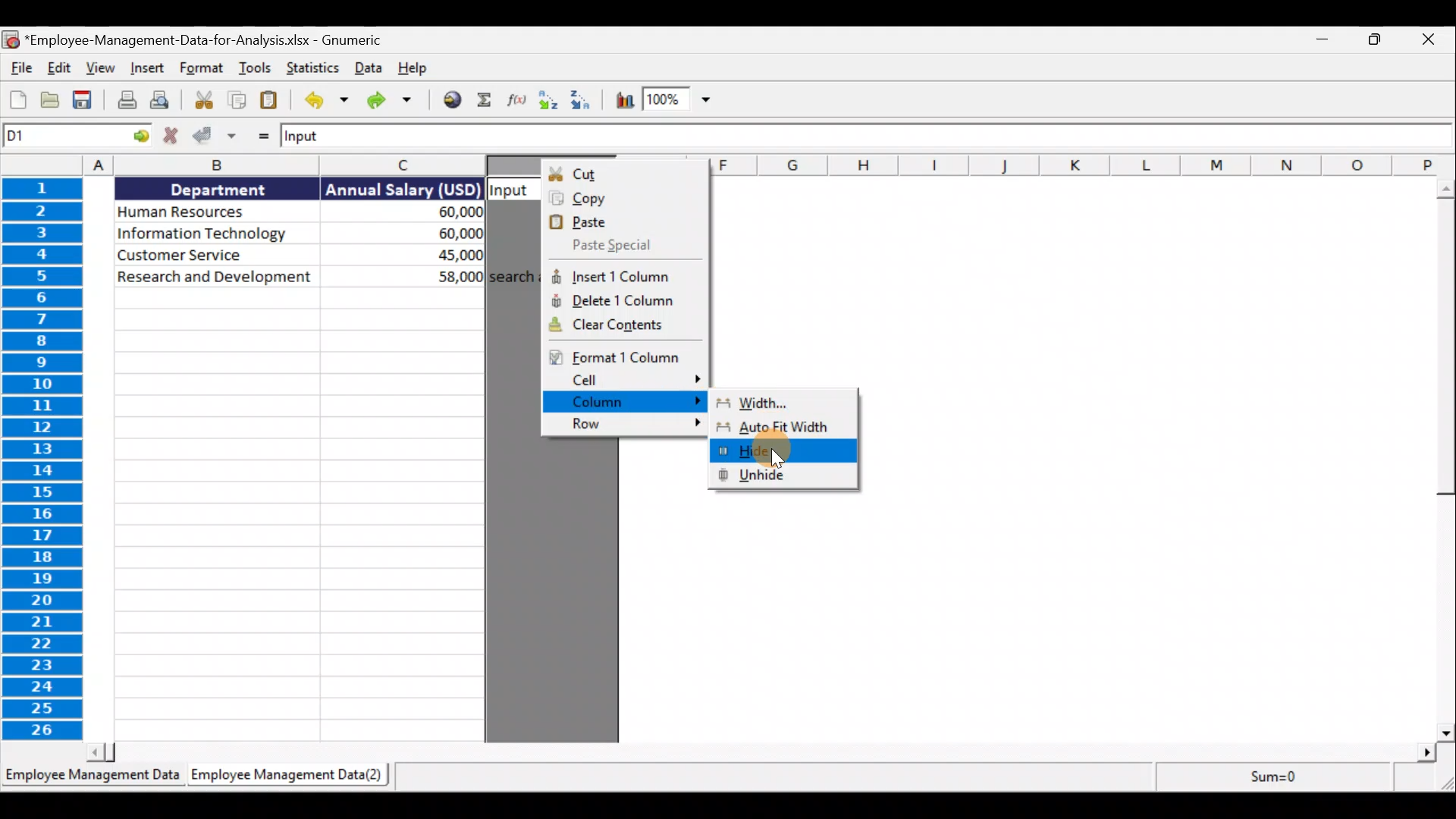 The width and height of the screenshot is (1456, 819). Describe the element at coordinates (516, 102) in the screenshot. I see `Edit a function in the current cell` at that location.